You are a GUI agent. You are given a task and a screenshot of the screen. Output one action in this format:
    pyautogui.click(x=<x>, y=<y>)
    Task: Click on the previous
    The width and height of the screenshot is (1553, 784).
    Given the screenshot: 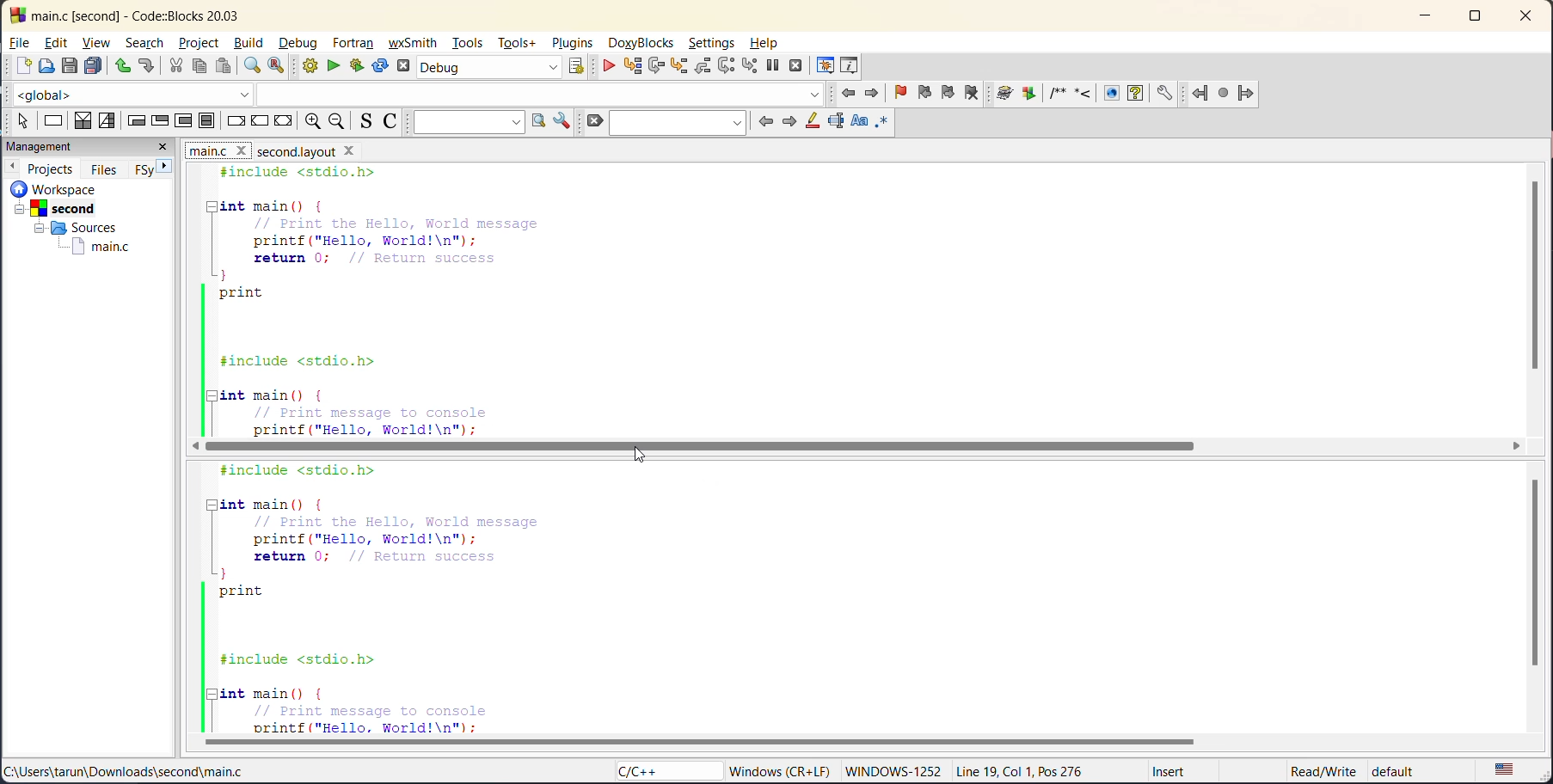 What is the action you would take?
    pyautogui.click(x=765, y=123)
    